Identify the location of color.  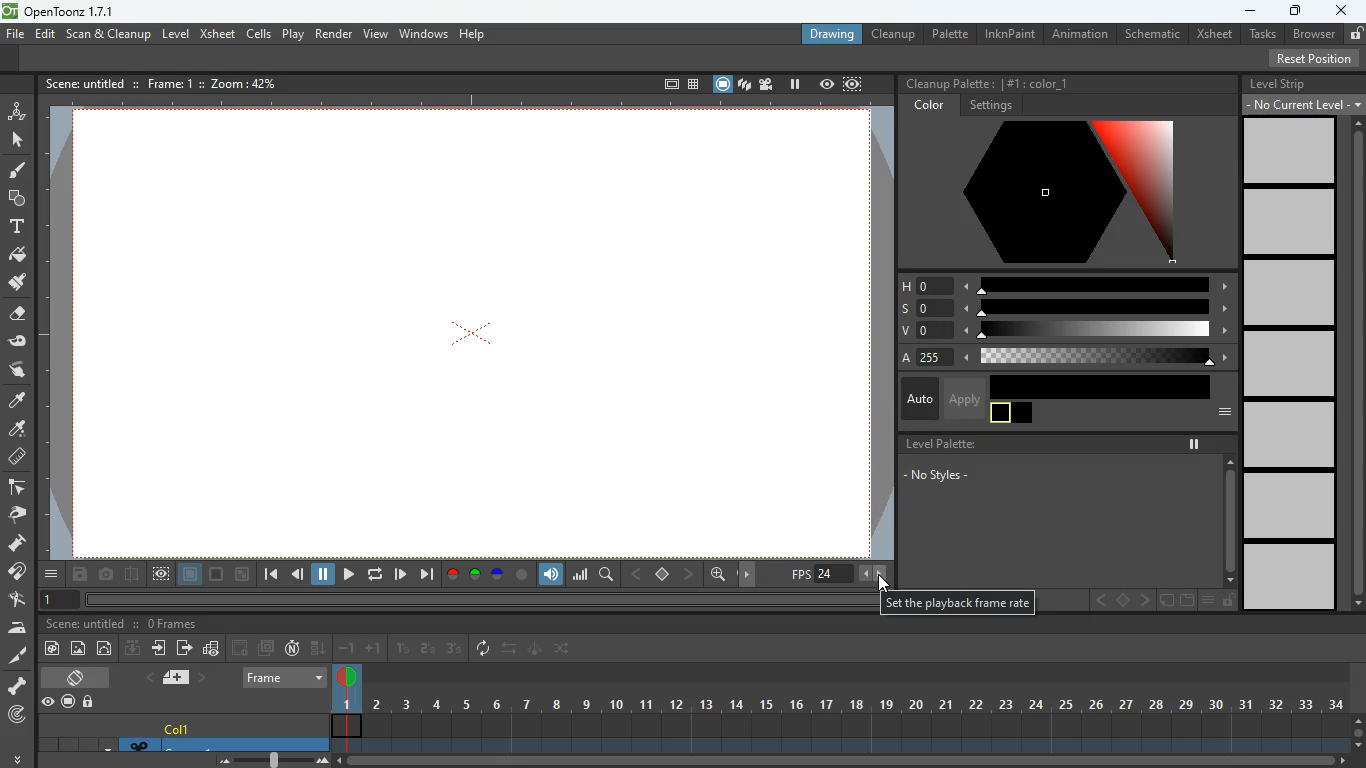
(1011, 413).